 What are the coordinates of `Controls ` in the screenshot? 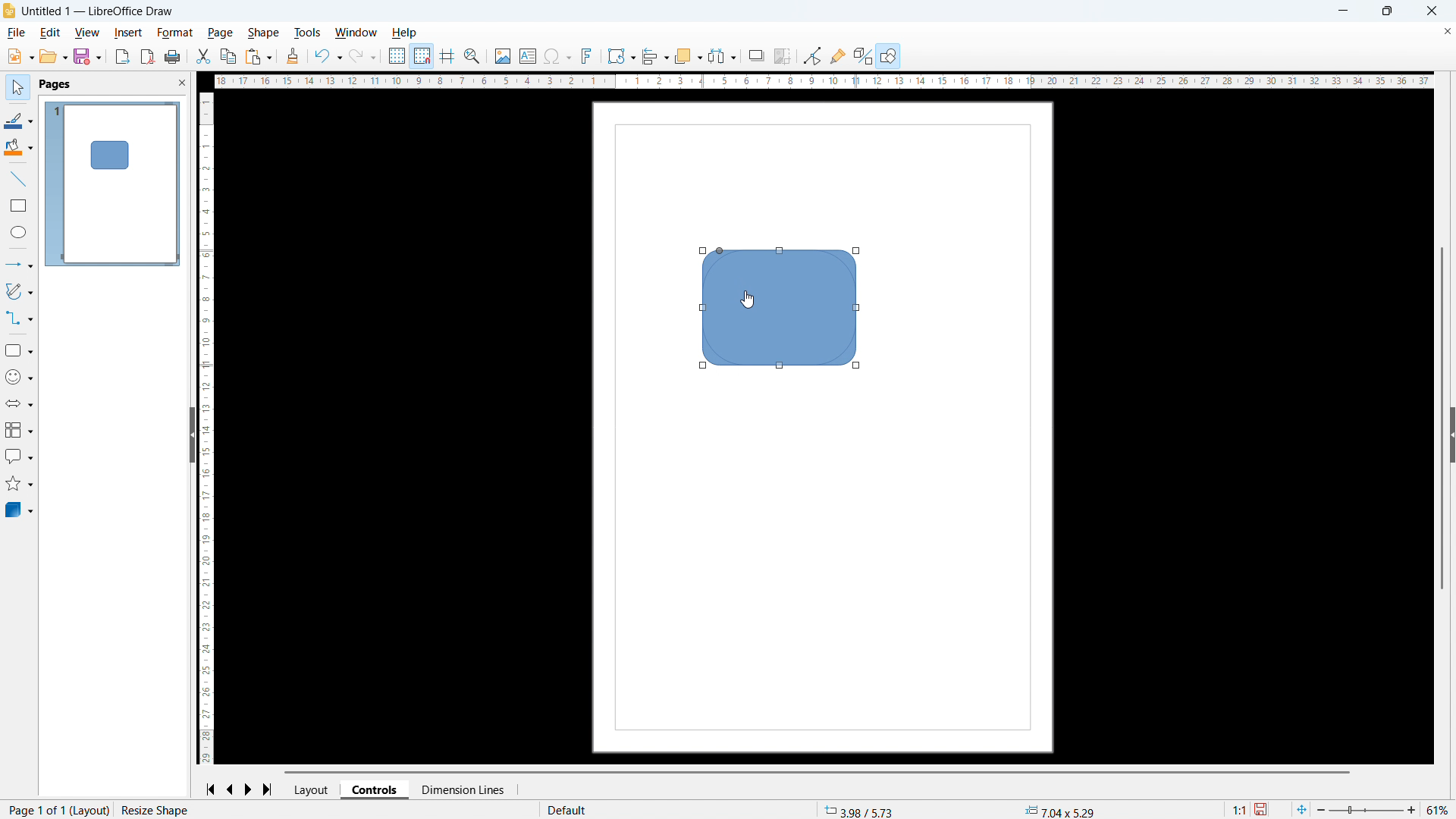 It's located at (376, 789).